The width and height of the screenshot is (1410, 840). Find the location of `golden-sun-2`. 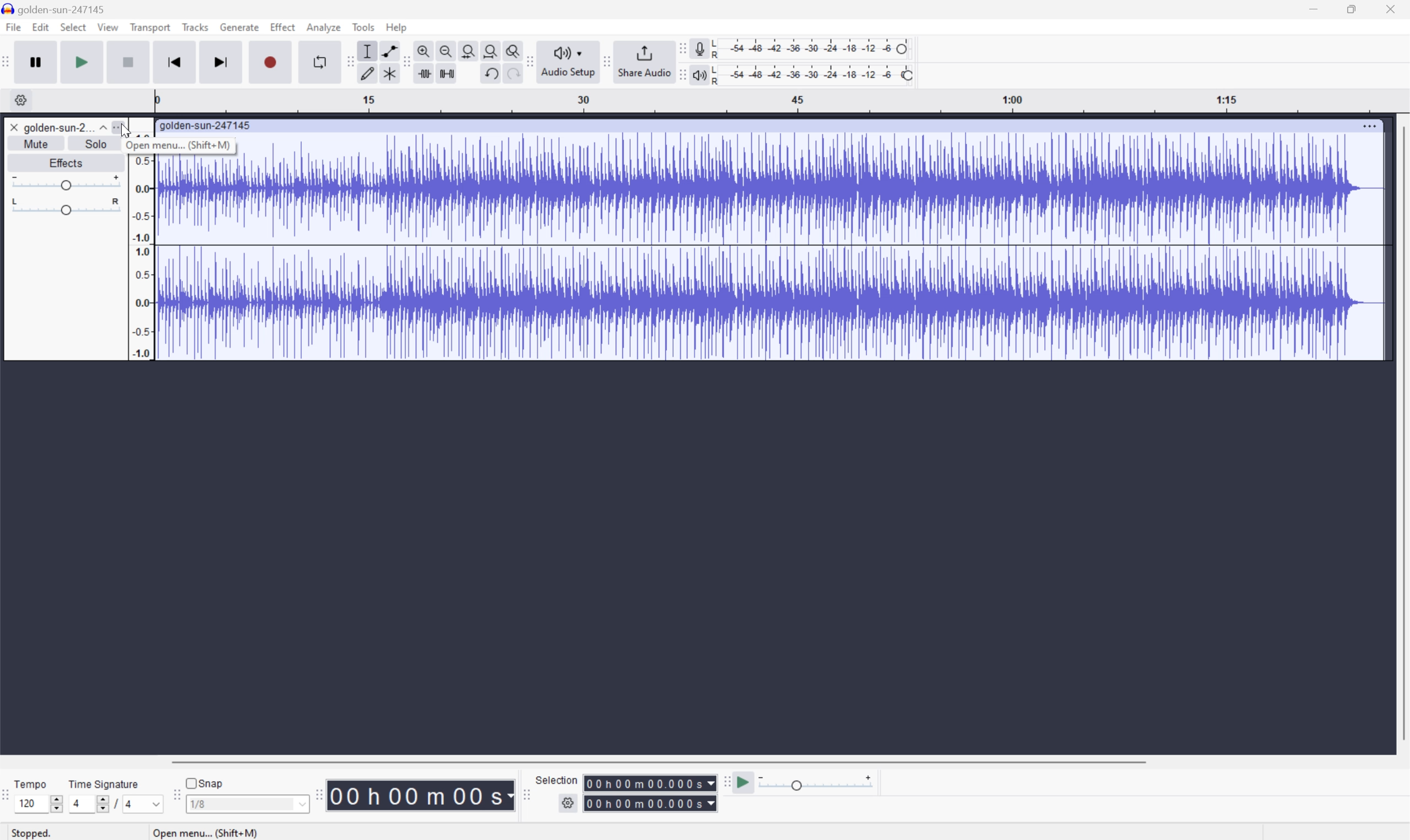

golden-sun-2 is located at coordinates (57, 128).